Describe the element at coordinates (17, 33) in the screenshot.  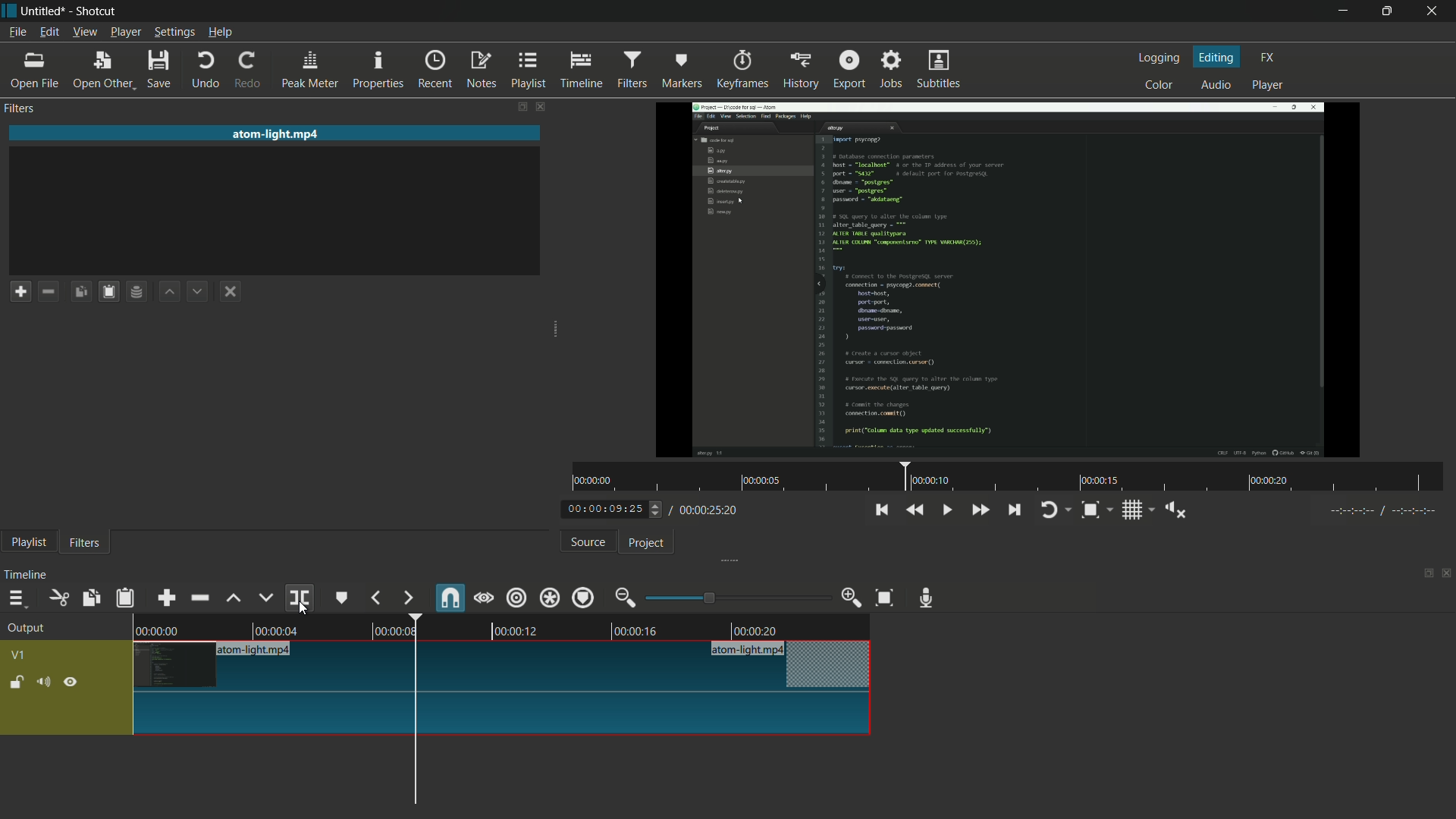
I see `file menu` at that location.